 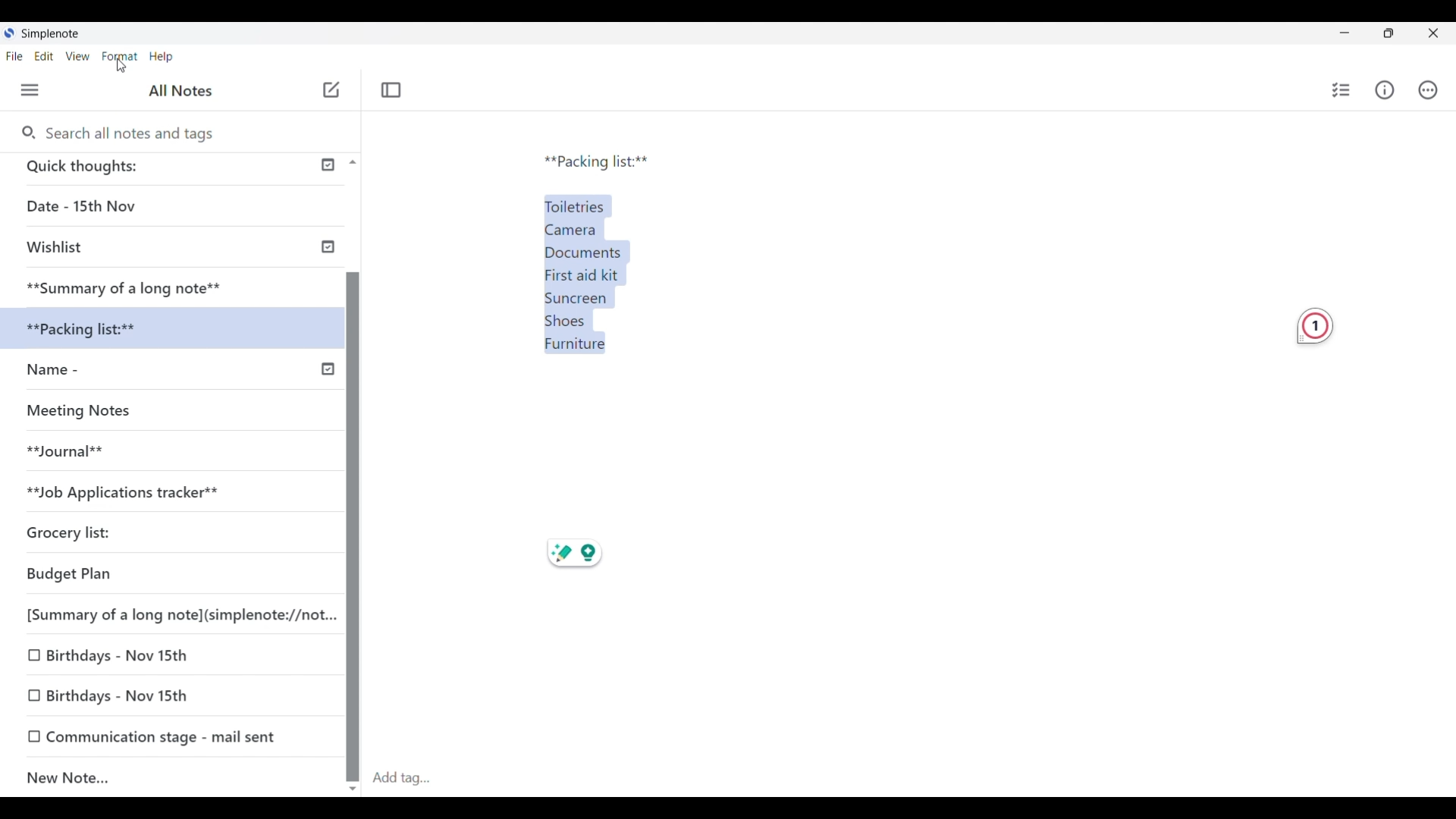 I want to click on Quick slide to top, so click(x=353, y=162).